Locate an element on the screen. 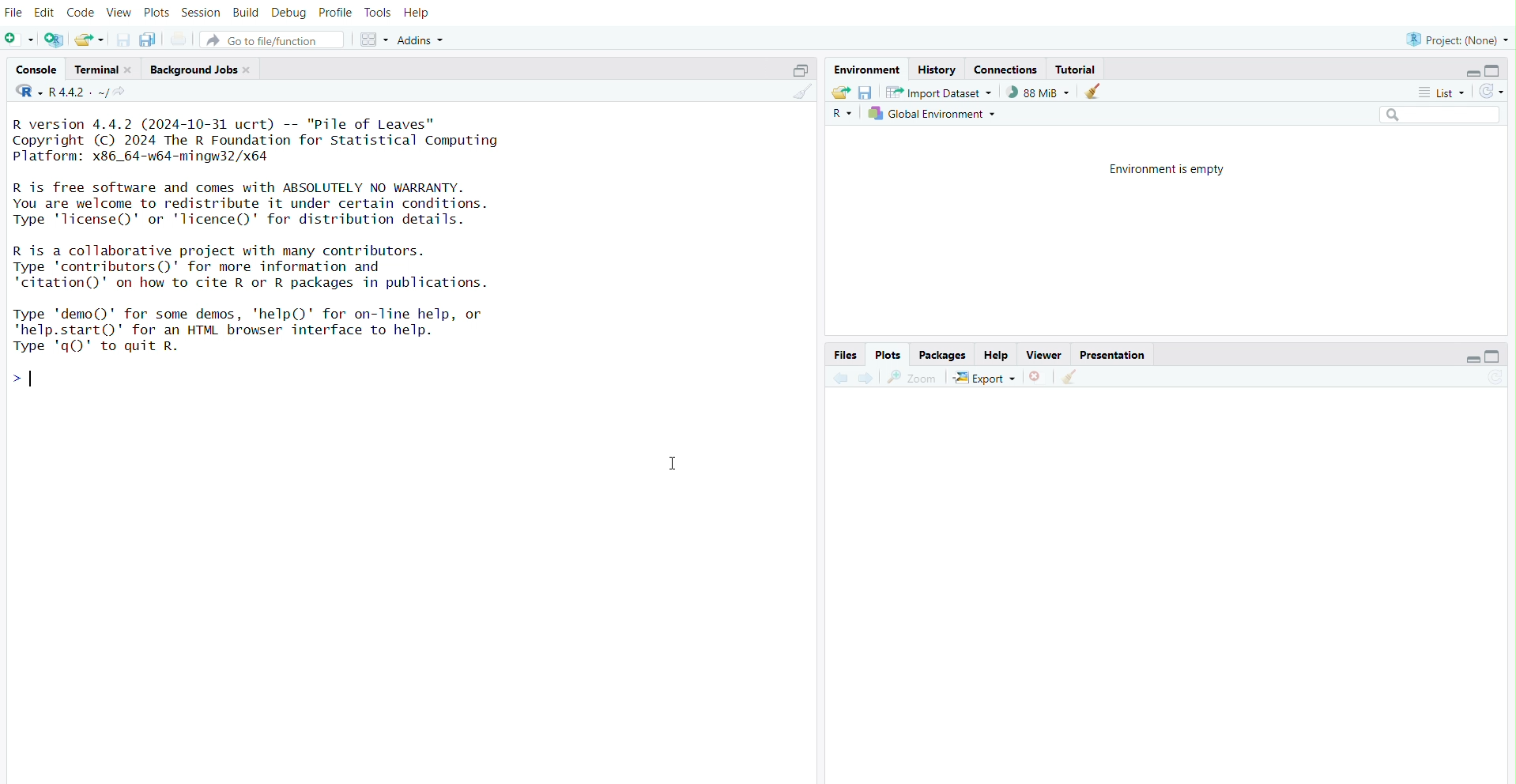 The height and width of the screenshot is (784, 1516). help is located at coordinates (419, 10).